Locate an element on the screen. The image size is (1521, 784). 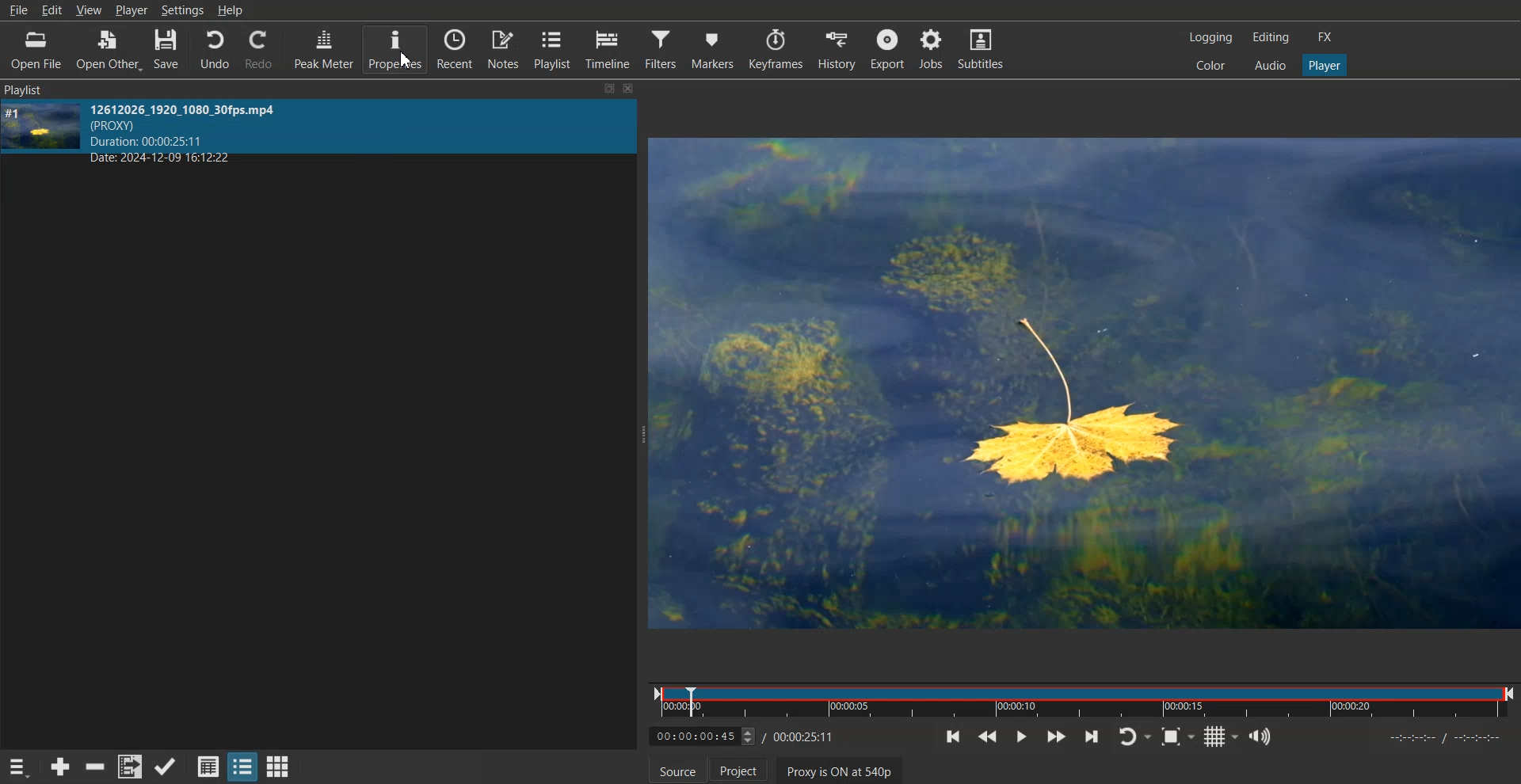
Toggle Zoom is located at coordinates (1178, 736).